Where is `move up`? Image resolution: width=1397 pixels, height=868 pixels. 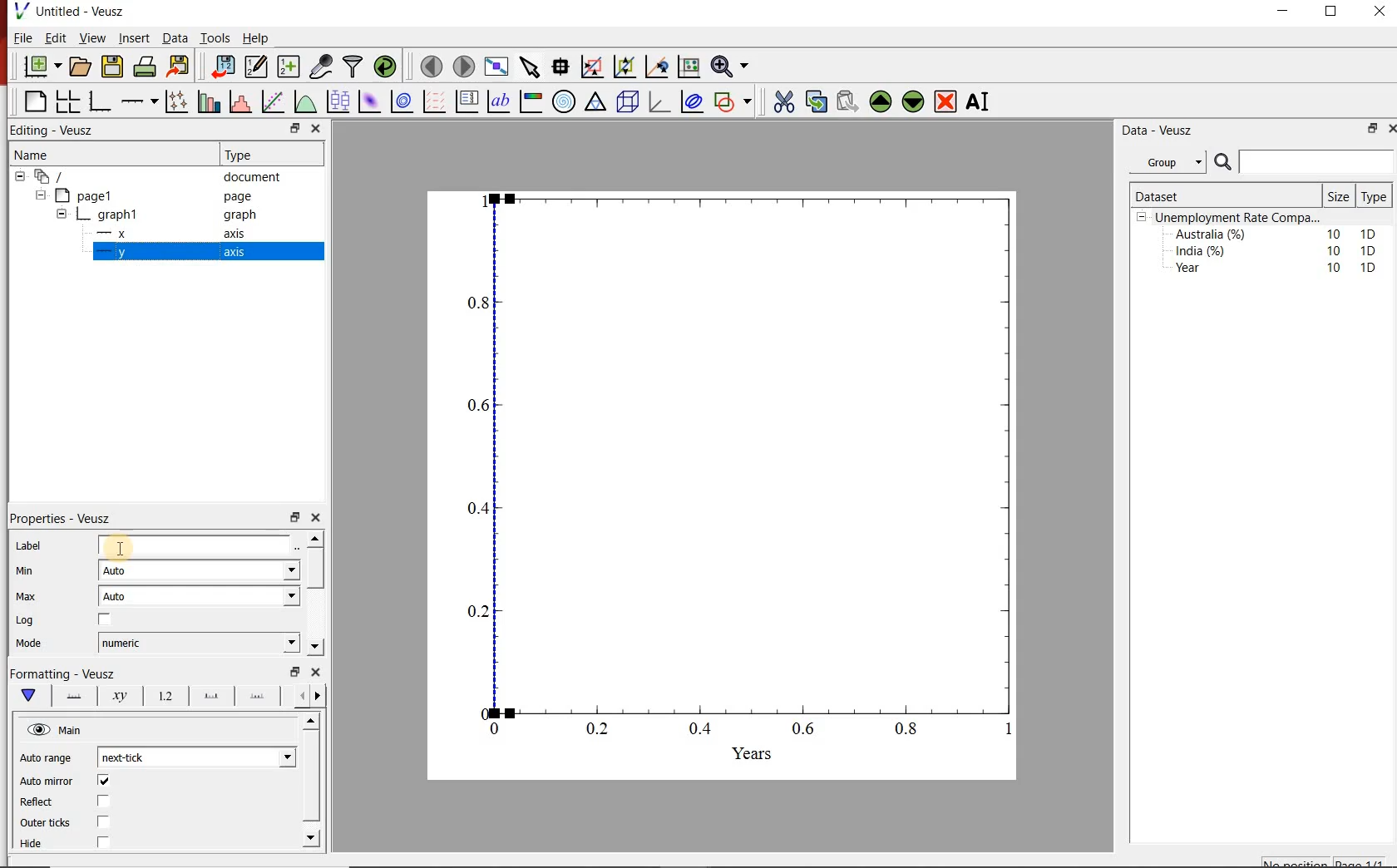
move up is located at coordinates (315, 538).